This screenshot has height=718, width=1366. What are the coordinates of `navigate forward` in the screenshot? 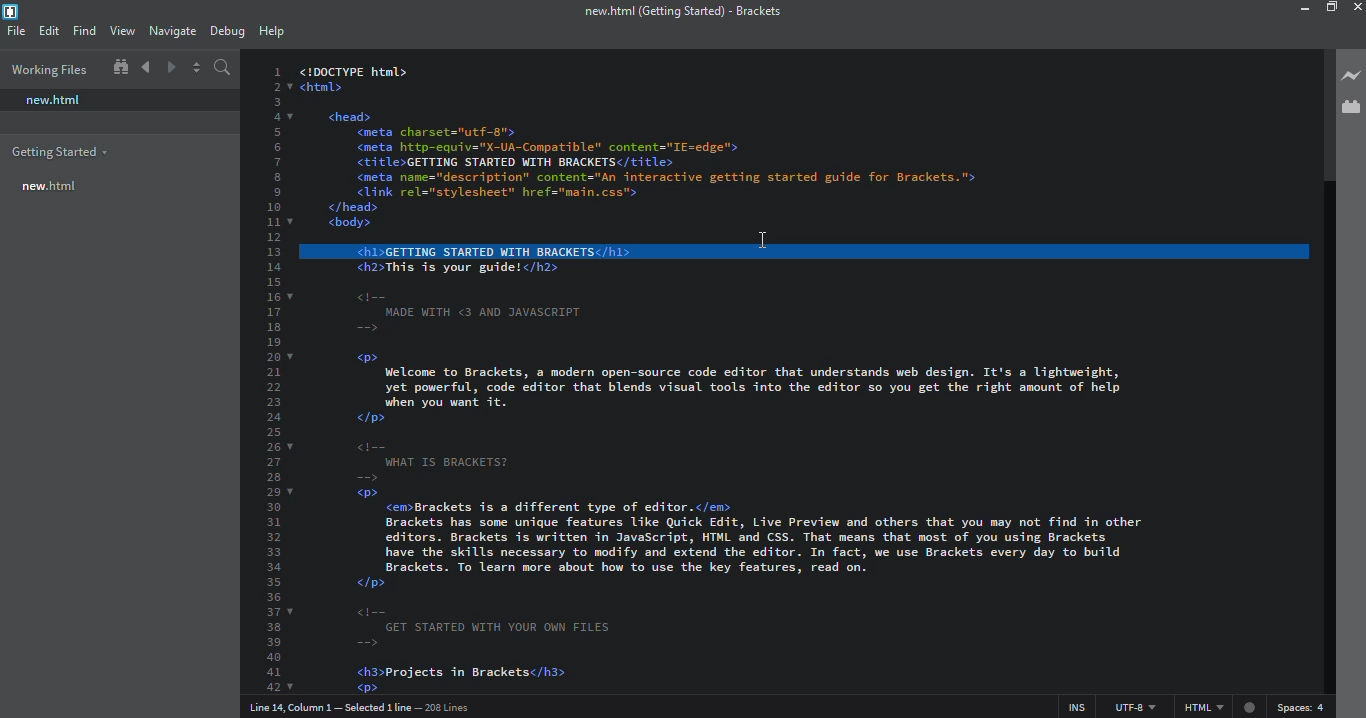 It's located at (172, 67).